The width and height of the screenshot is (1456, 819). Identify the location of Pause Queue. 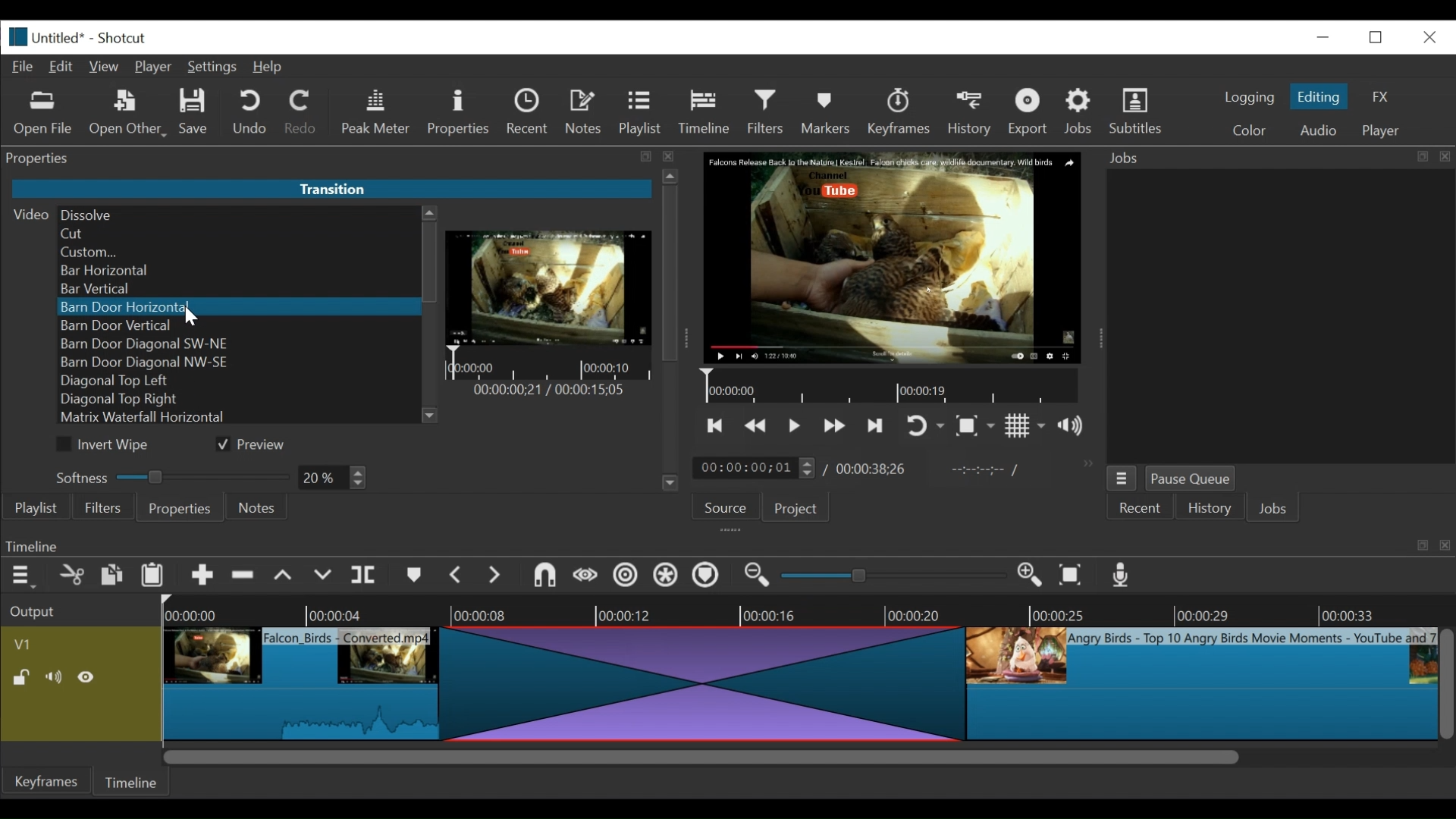
(1191, 482).